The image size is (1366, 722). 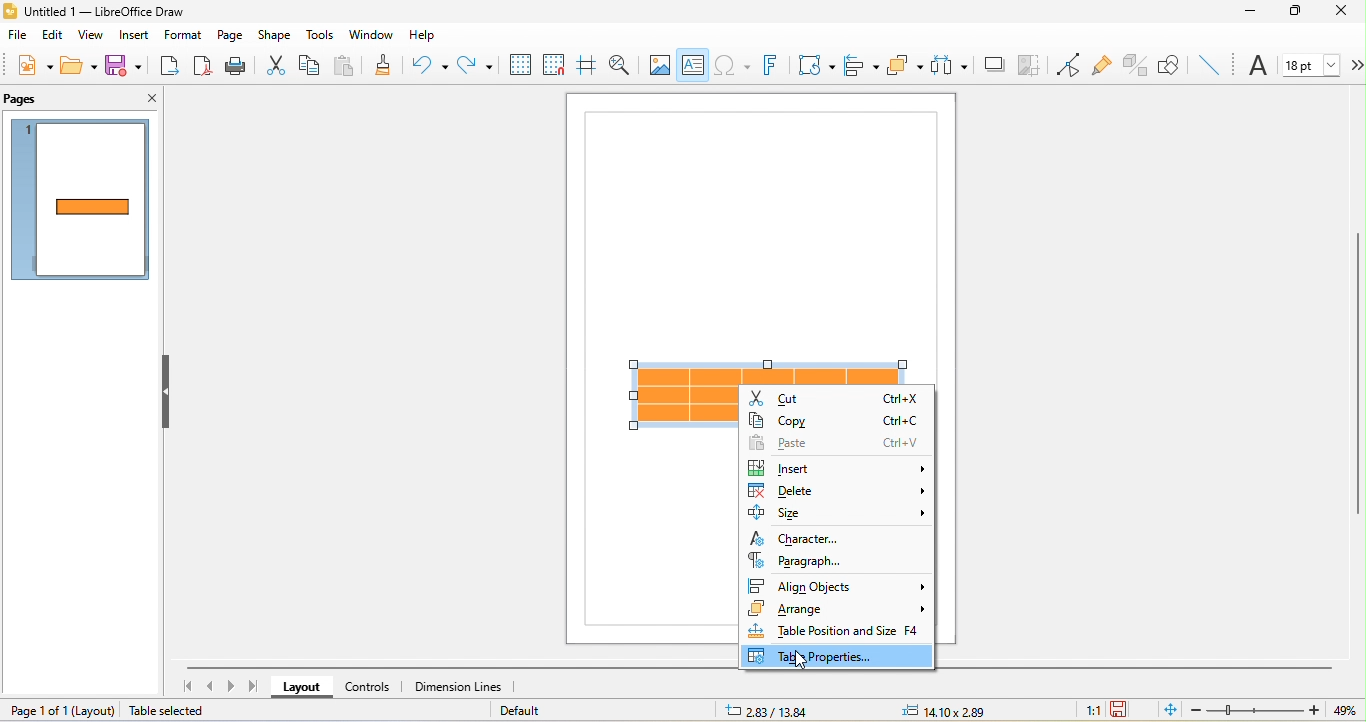 What do you see at coordinates (234, 686) in the screenshot?
I see `next page` at bounding box center [234, 686].